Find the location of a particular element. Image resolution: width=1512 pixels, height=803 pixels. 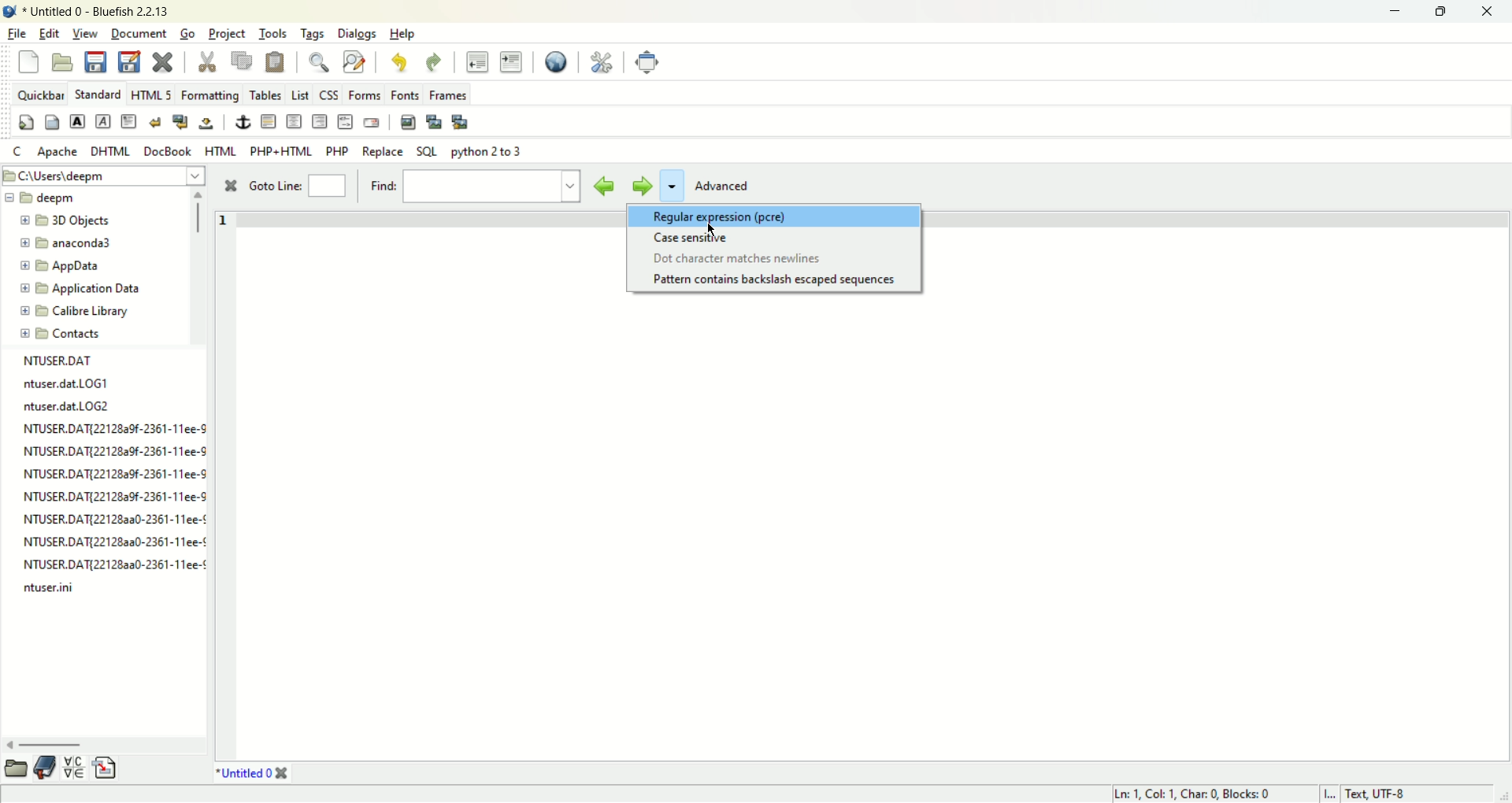

Untitled 0 - Bluefish 2.2.13 is located at coordinates (96, 13).